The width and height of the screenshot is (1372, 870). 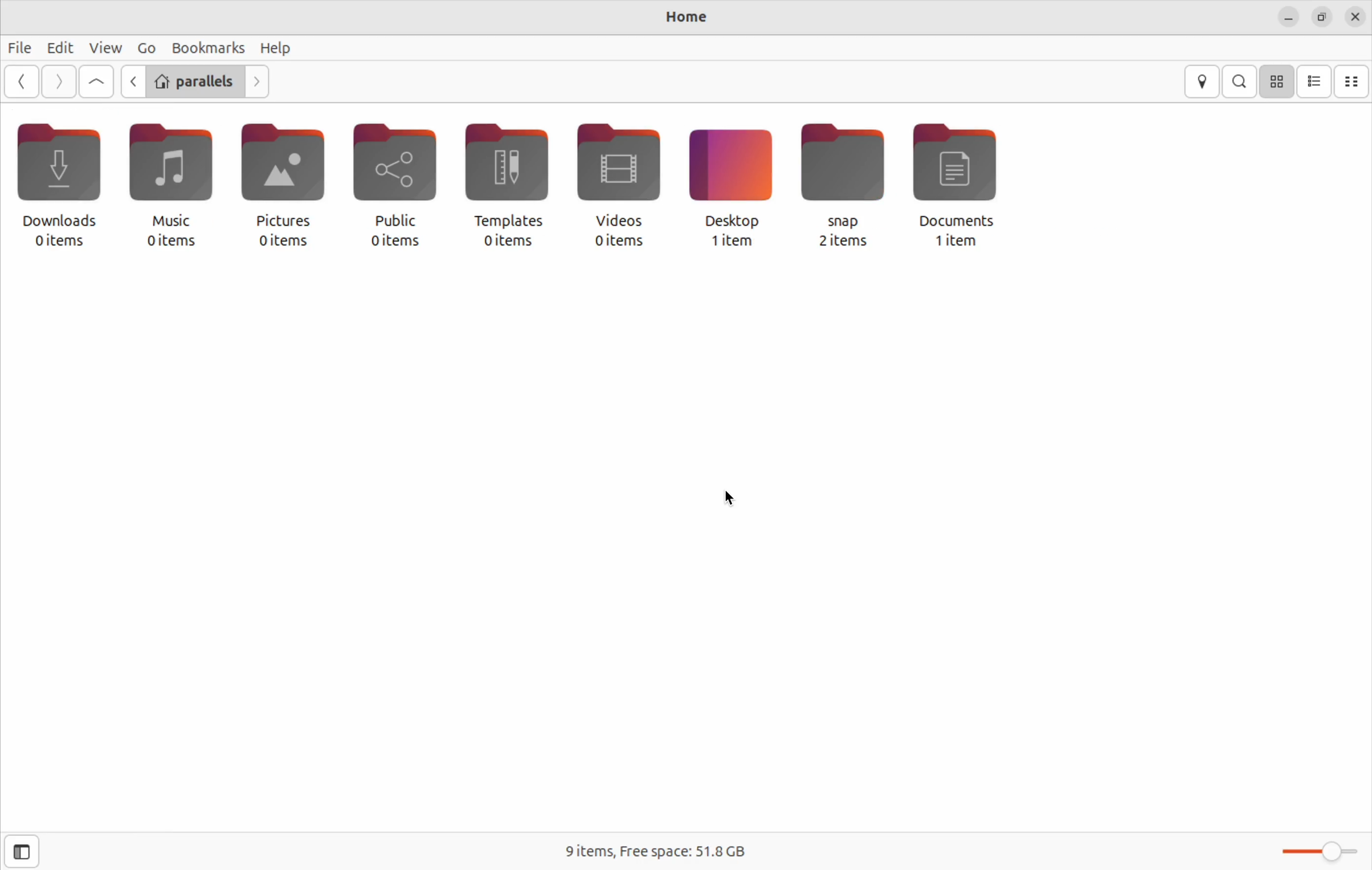 What do you see at coordinates (258, 81) in the screenshot?
I see `go forward` at bounding box center [258, 81].